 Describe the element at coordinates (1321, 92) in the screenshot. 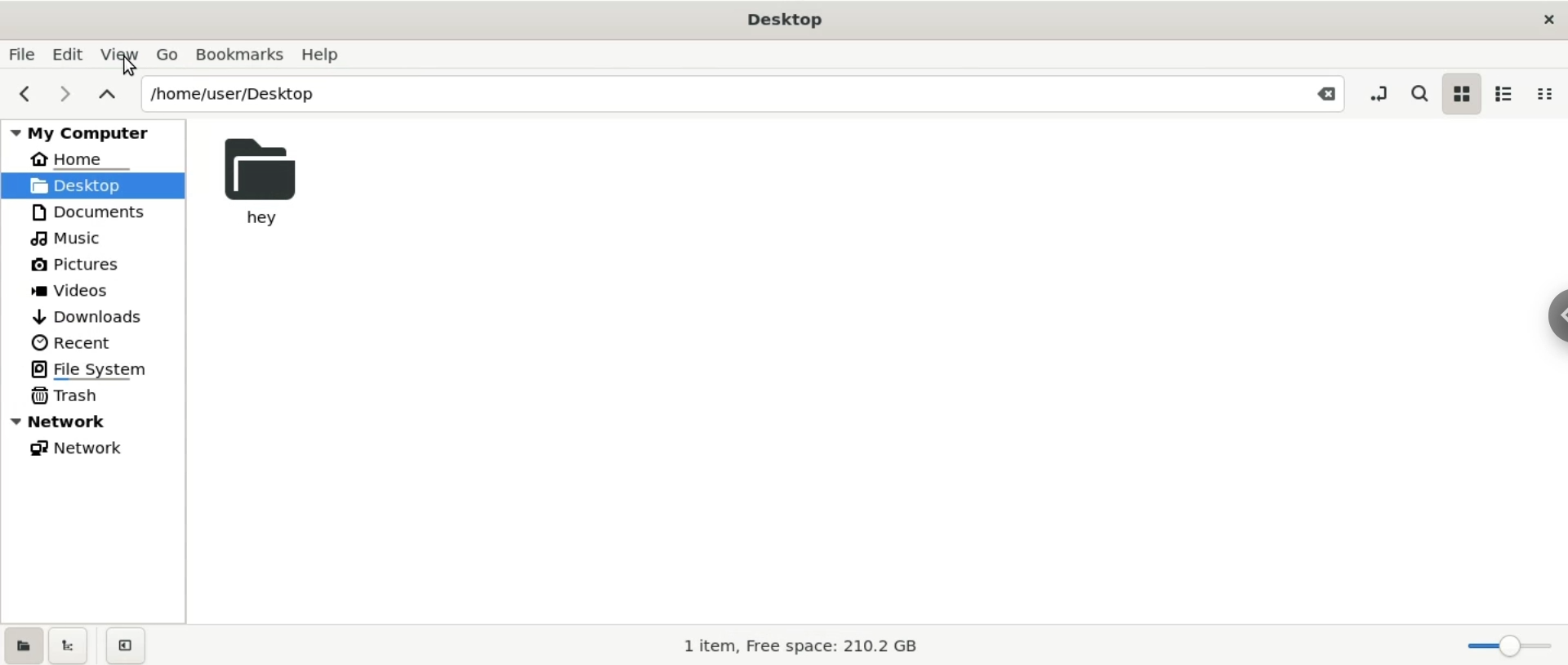

I see `Close` at that location.